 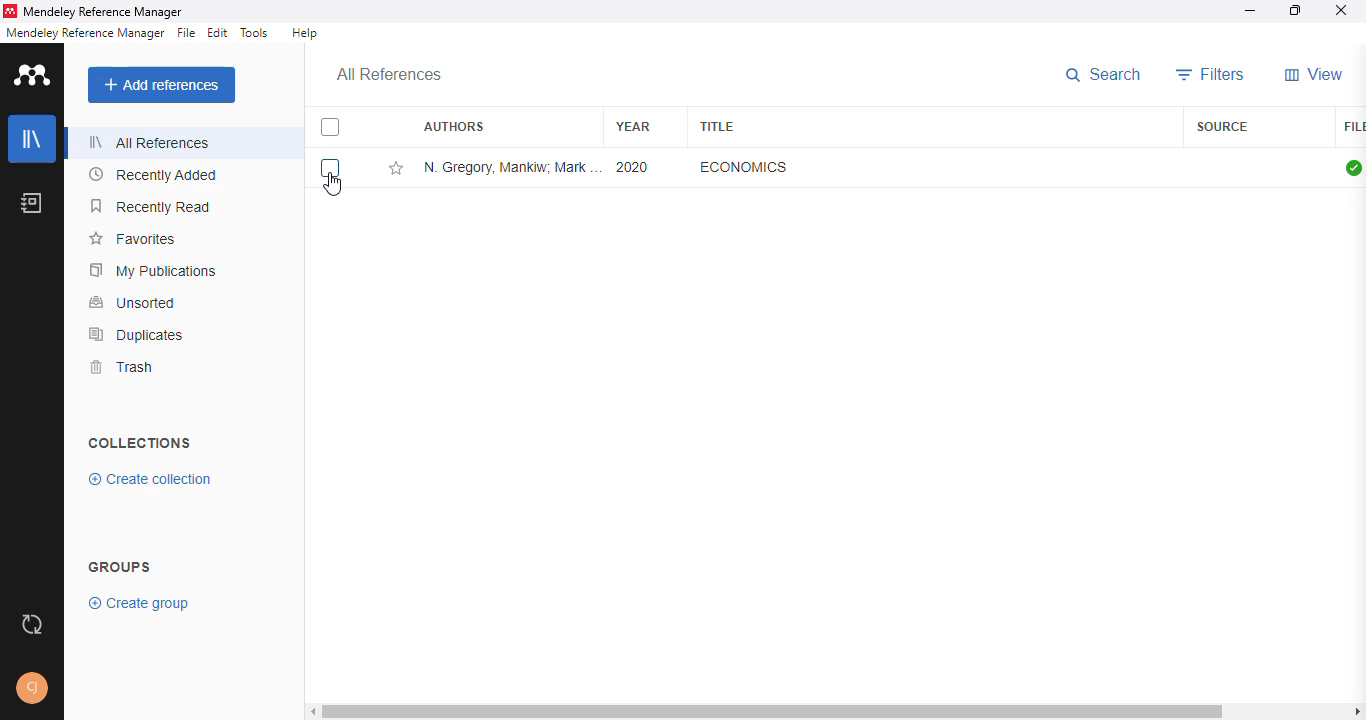 What do you see at coordinates (303, 32) in the screenshot?
I see `help` at bounding box center [303, 32].